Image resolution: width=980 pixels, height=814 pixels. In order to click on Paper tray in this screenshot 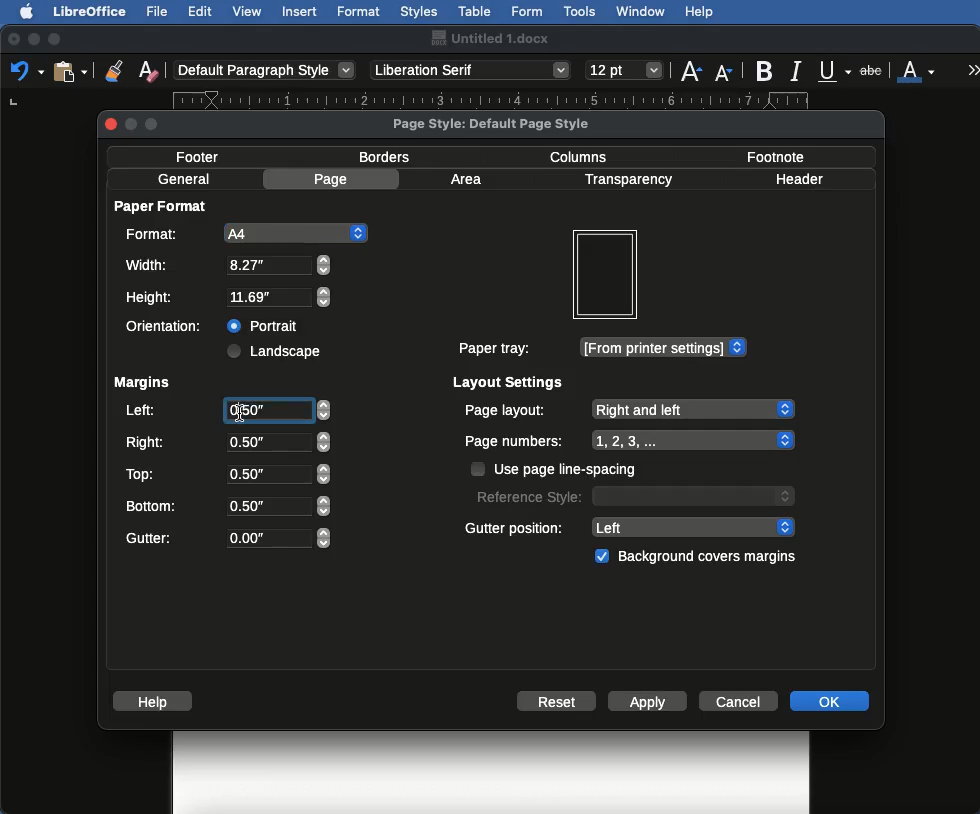, I will do `click(601, 348)`.